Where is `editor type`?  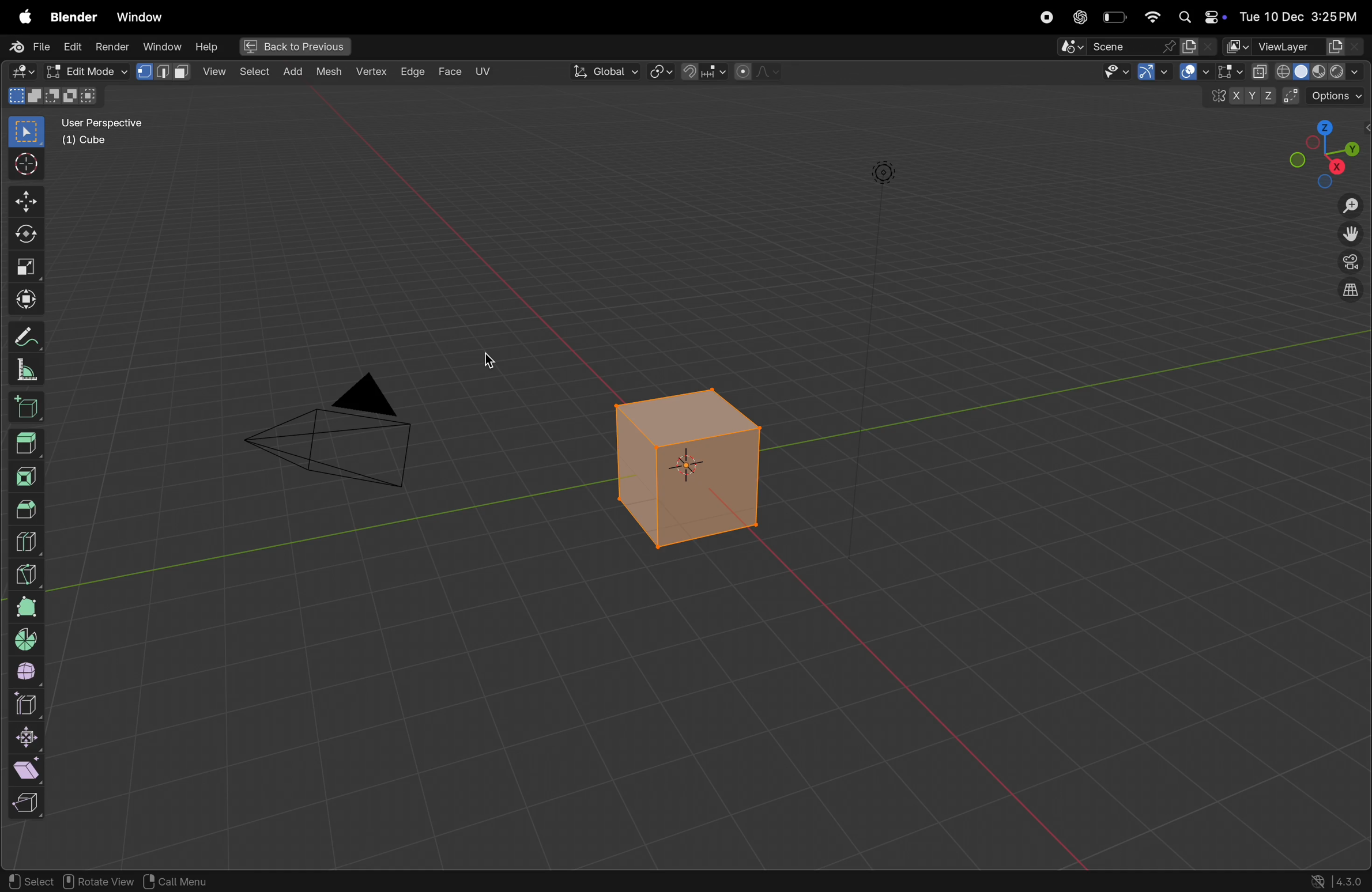 editor type is located at coordinates (19, 72).